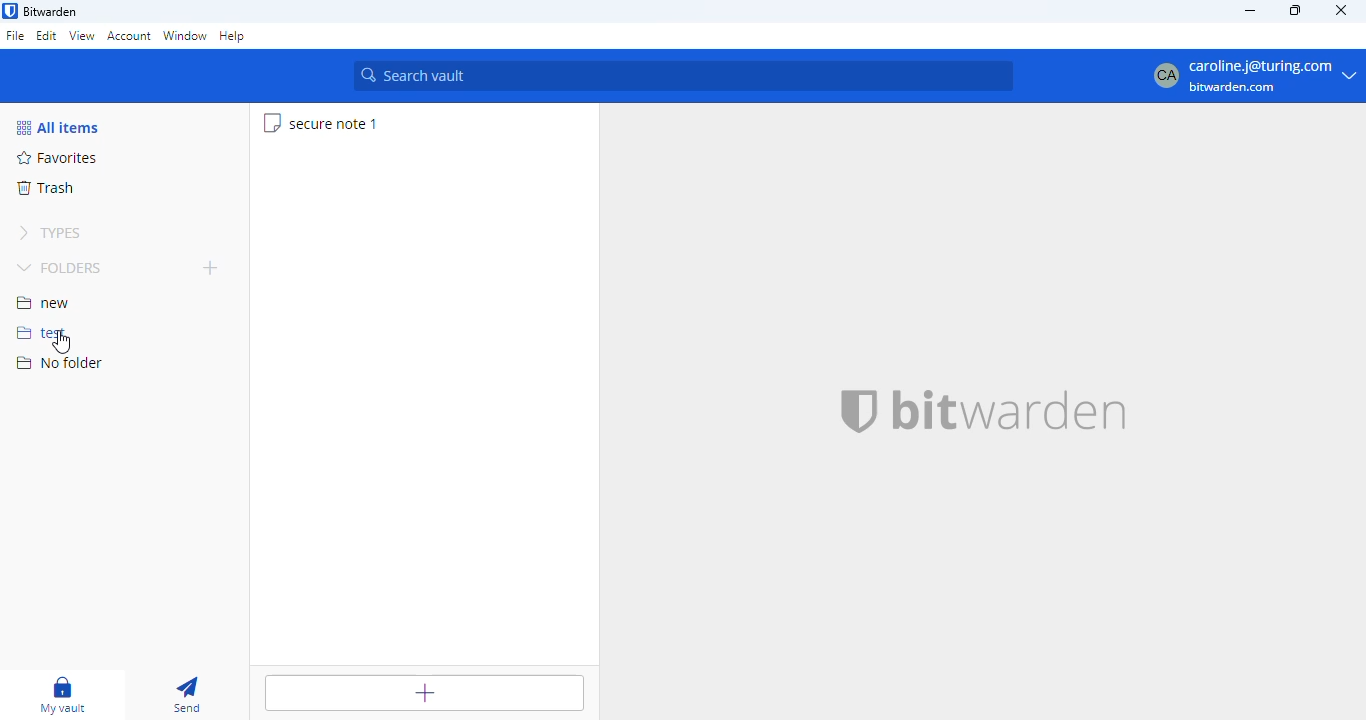 This screenshot has height=720, width=1366. Describe the element at coordinates (47, 188) in the screenshot. I see `trash` at that location.